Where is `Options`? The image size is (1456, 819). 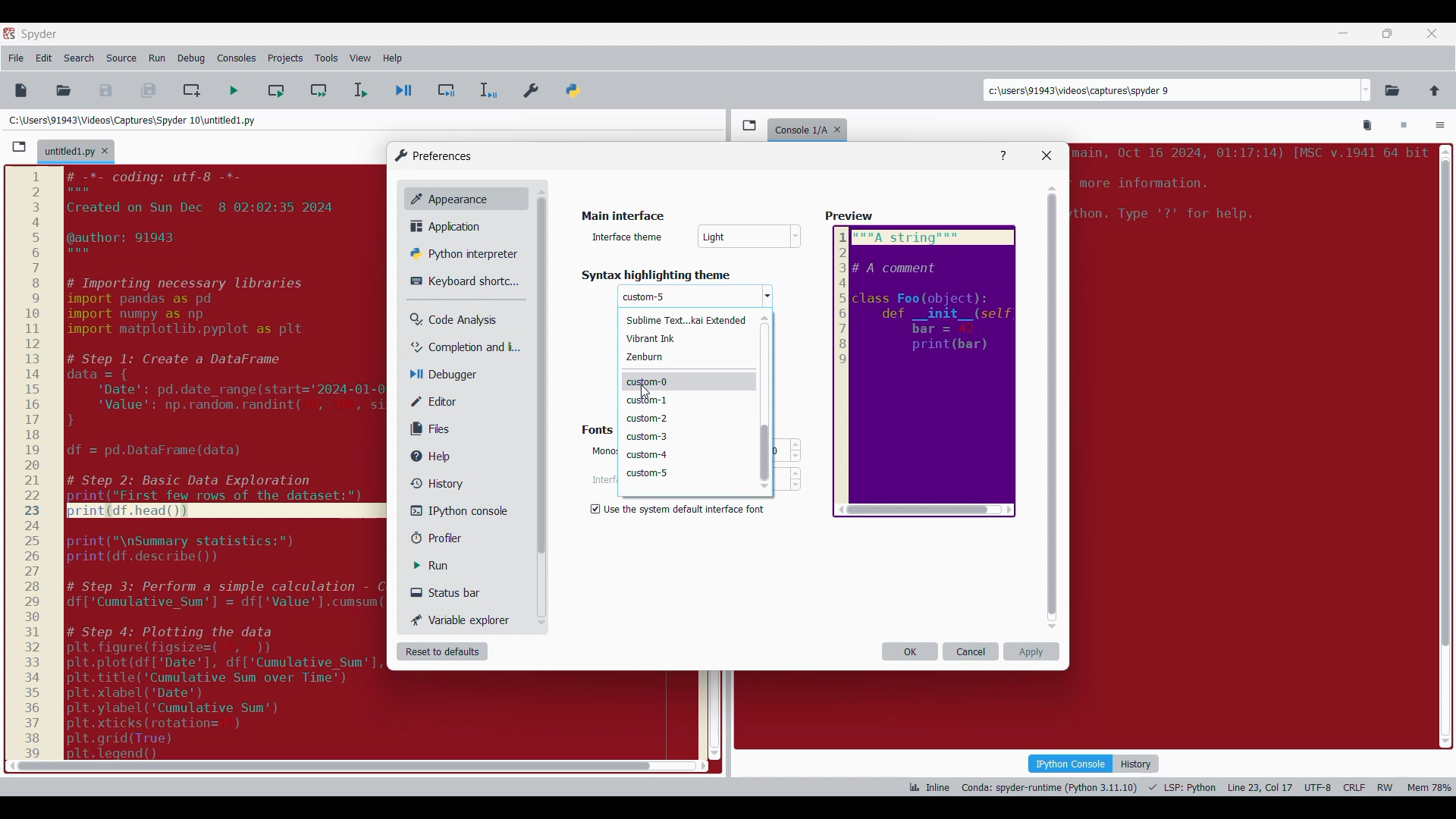
Options is located at coordinates (1440, 127).